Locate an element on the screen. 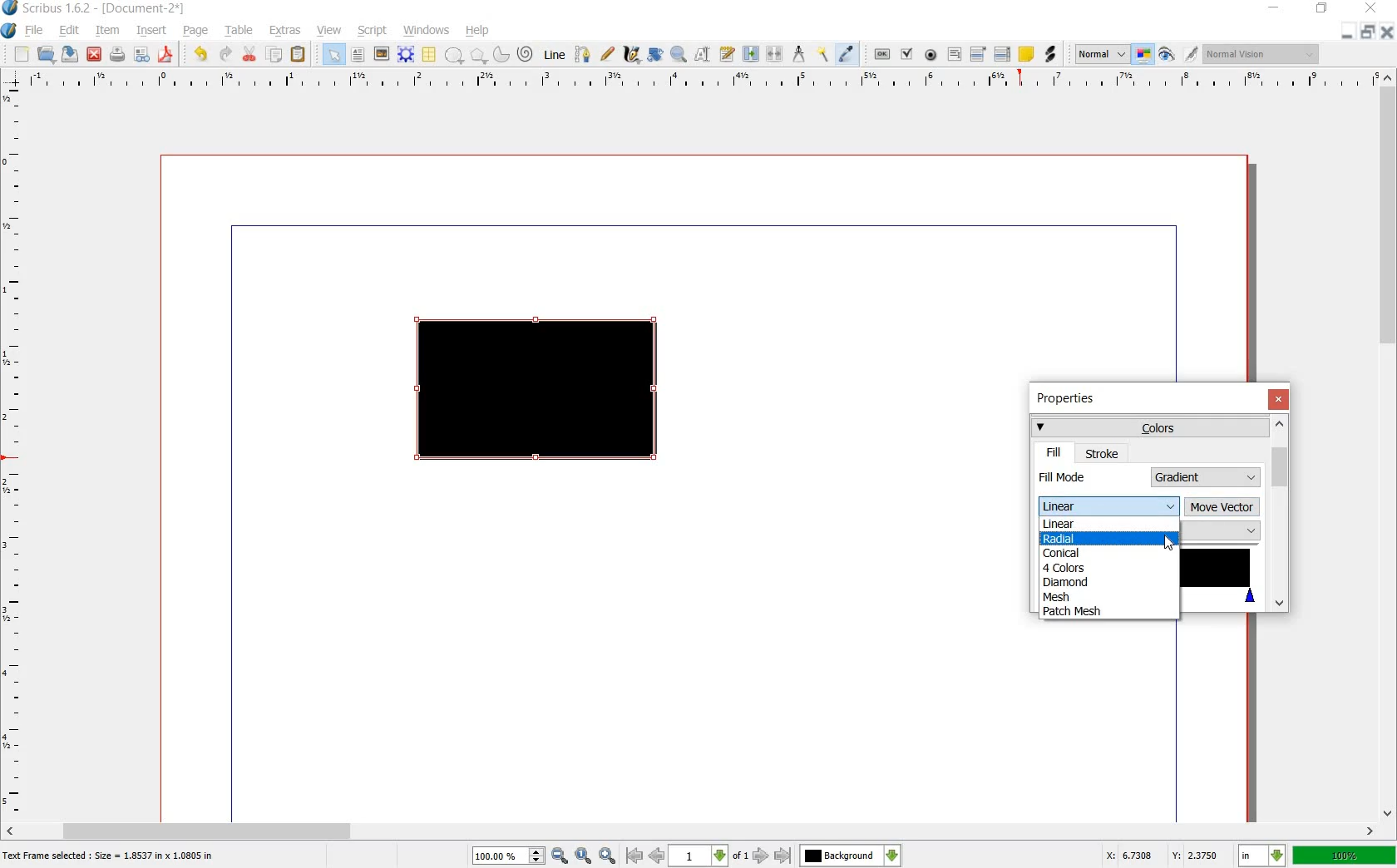 This screenshot has width=1397, height=868. mesh is located at coordinates (1063, 596).